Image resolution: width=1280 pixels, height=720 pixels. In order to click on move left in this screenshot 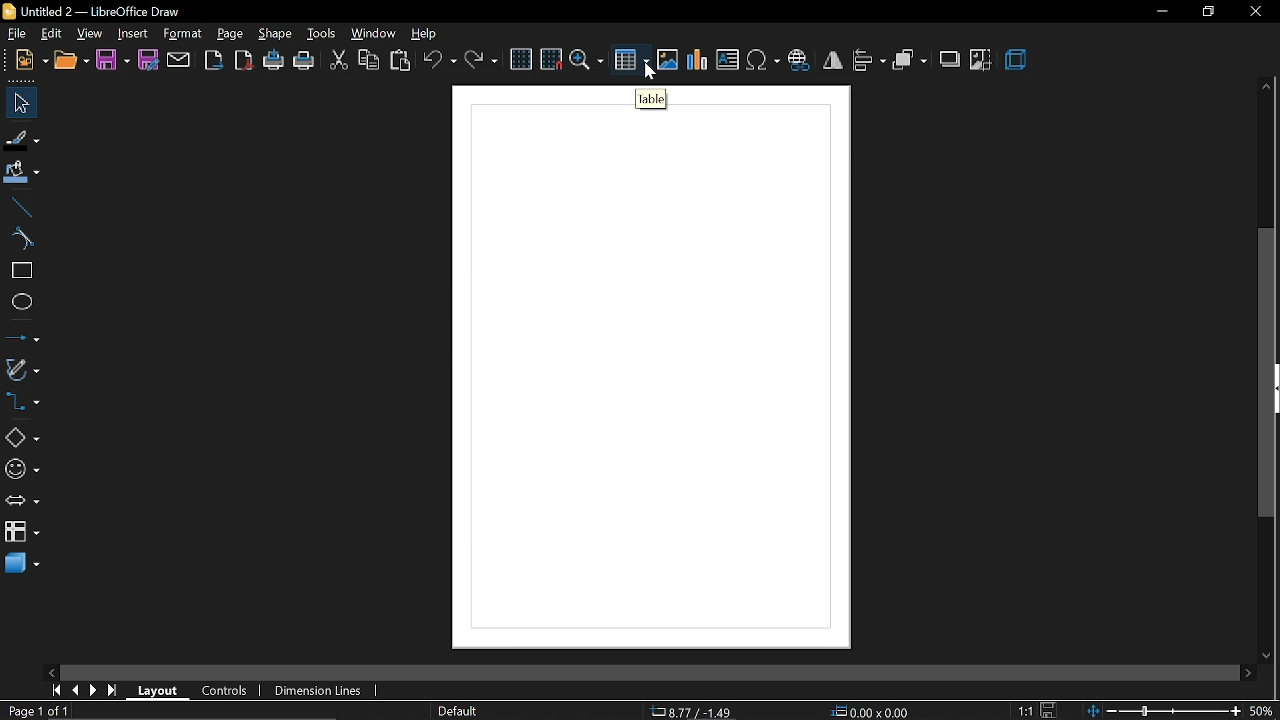, I will do `click(53, 671)`.